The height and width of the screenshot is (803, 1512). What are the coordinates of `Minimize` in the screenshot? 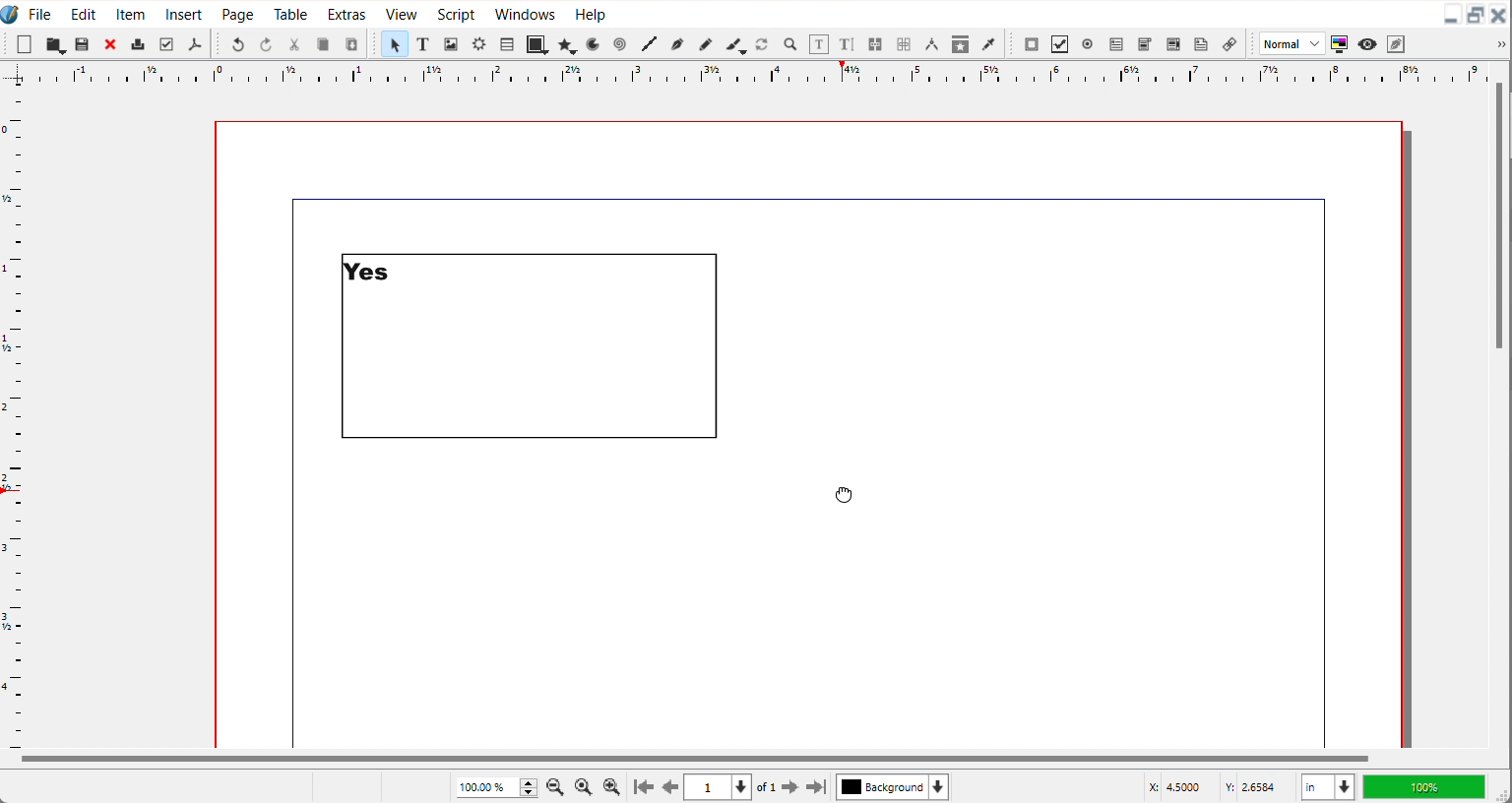 It's located at (1451, 16).